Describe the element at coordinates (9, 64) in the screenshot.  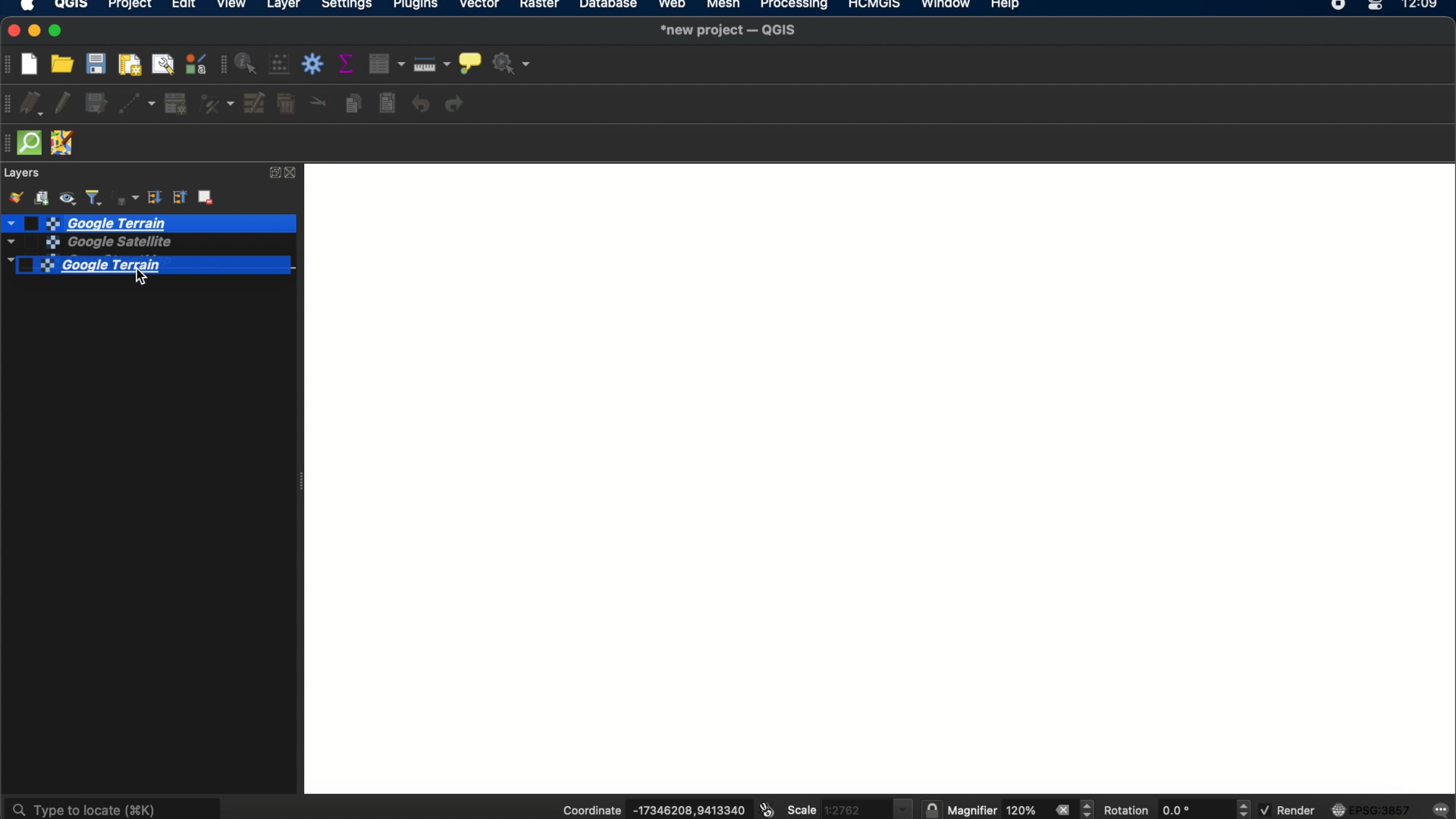
I see `project toolbar` at that location.